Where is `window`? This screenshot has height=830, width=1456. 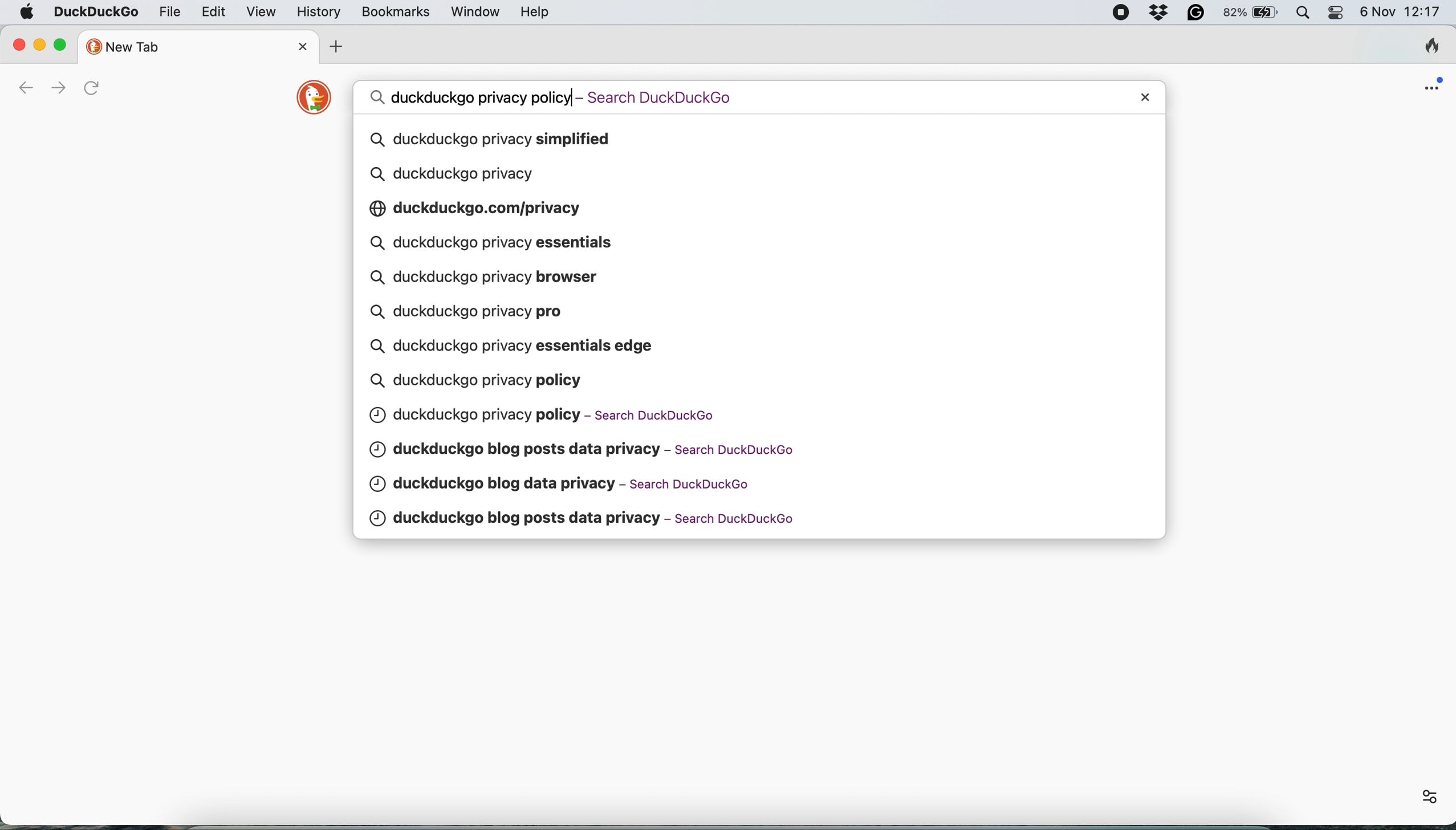
window is located at coordinates (475, 11).